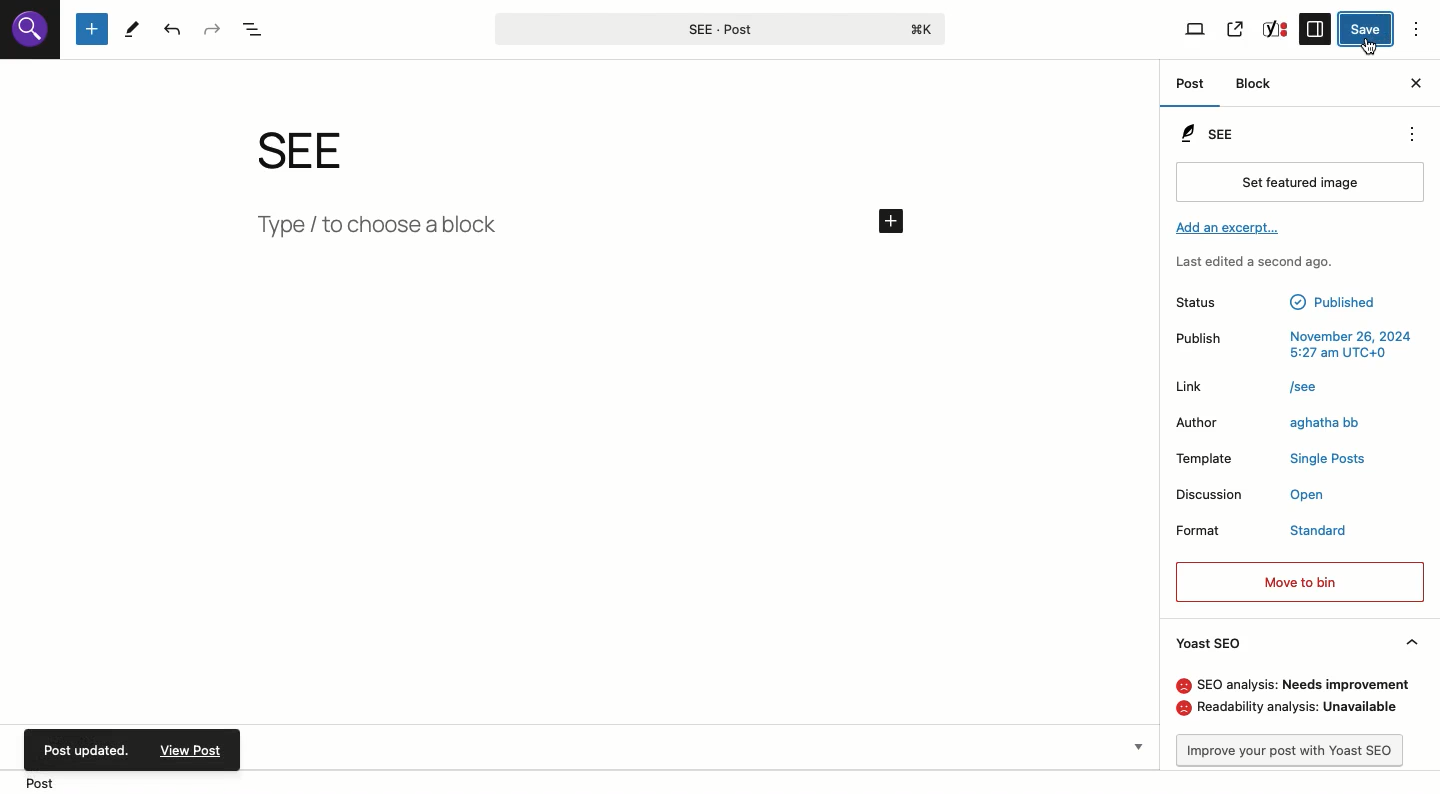  What do you see at coordinates (1213, 132) in the screenshot?
I see `SEE` at bounding box center [1213, 132].